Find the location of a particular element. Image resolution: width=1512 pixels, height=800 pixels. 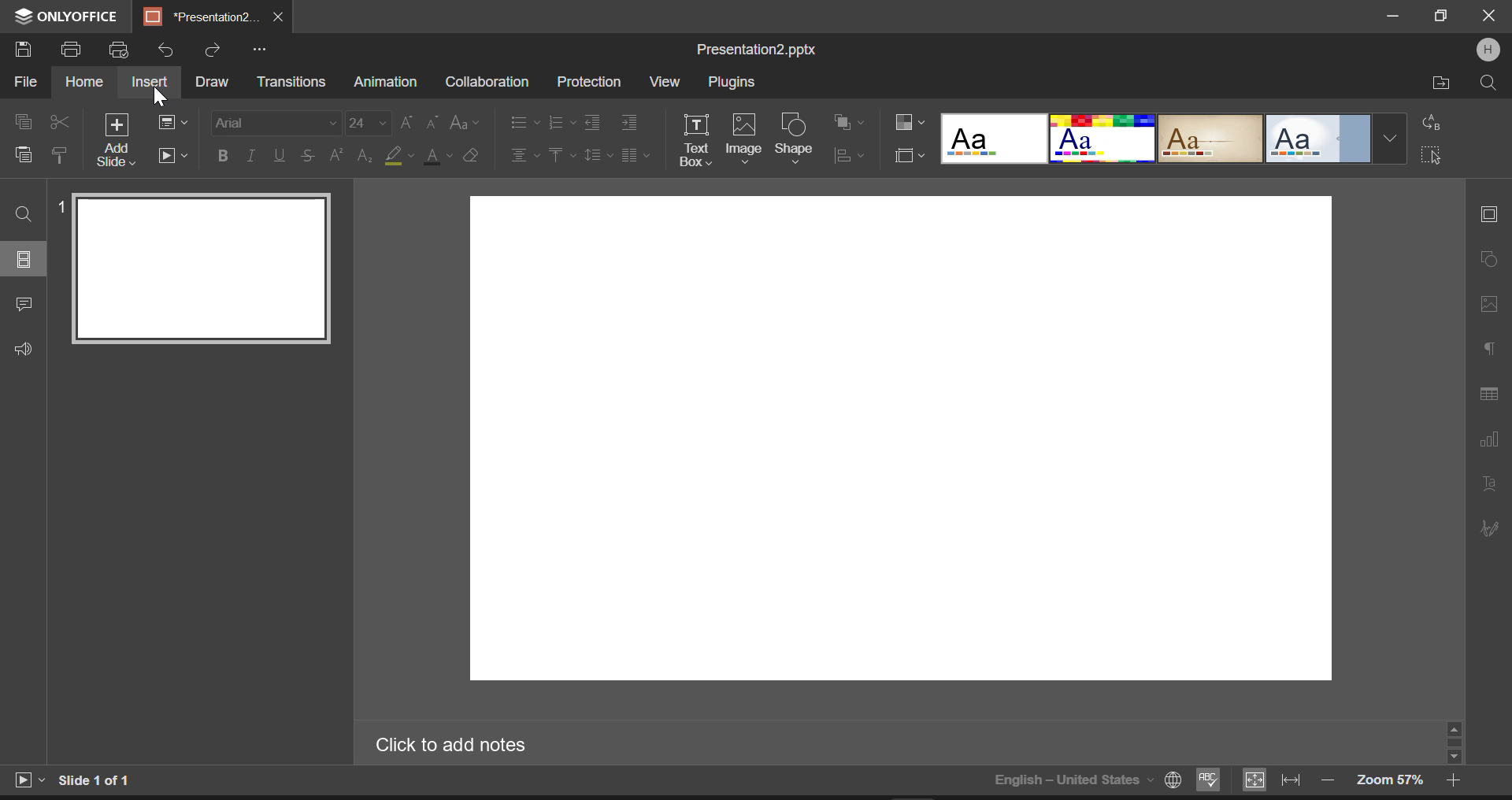

Erase is located at coordinates (472, 154).